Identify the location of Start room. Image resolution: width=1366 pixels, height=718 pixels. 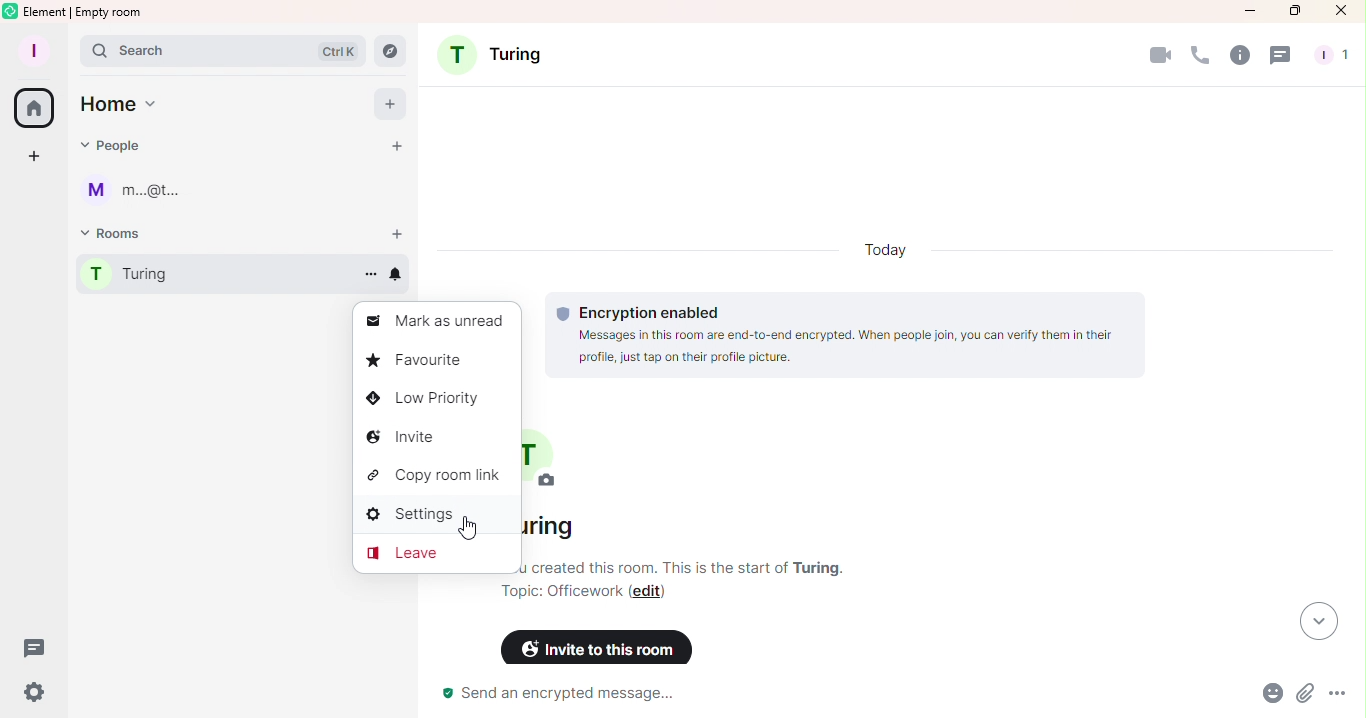
(399, 233).